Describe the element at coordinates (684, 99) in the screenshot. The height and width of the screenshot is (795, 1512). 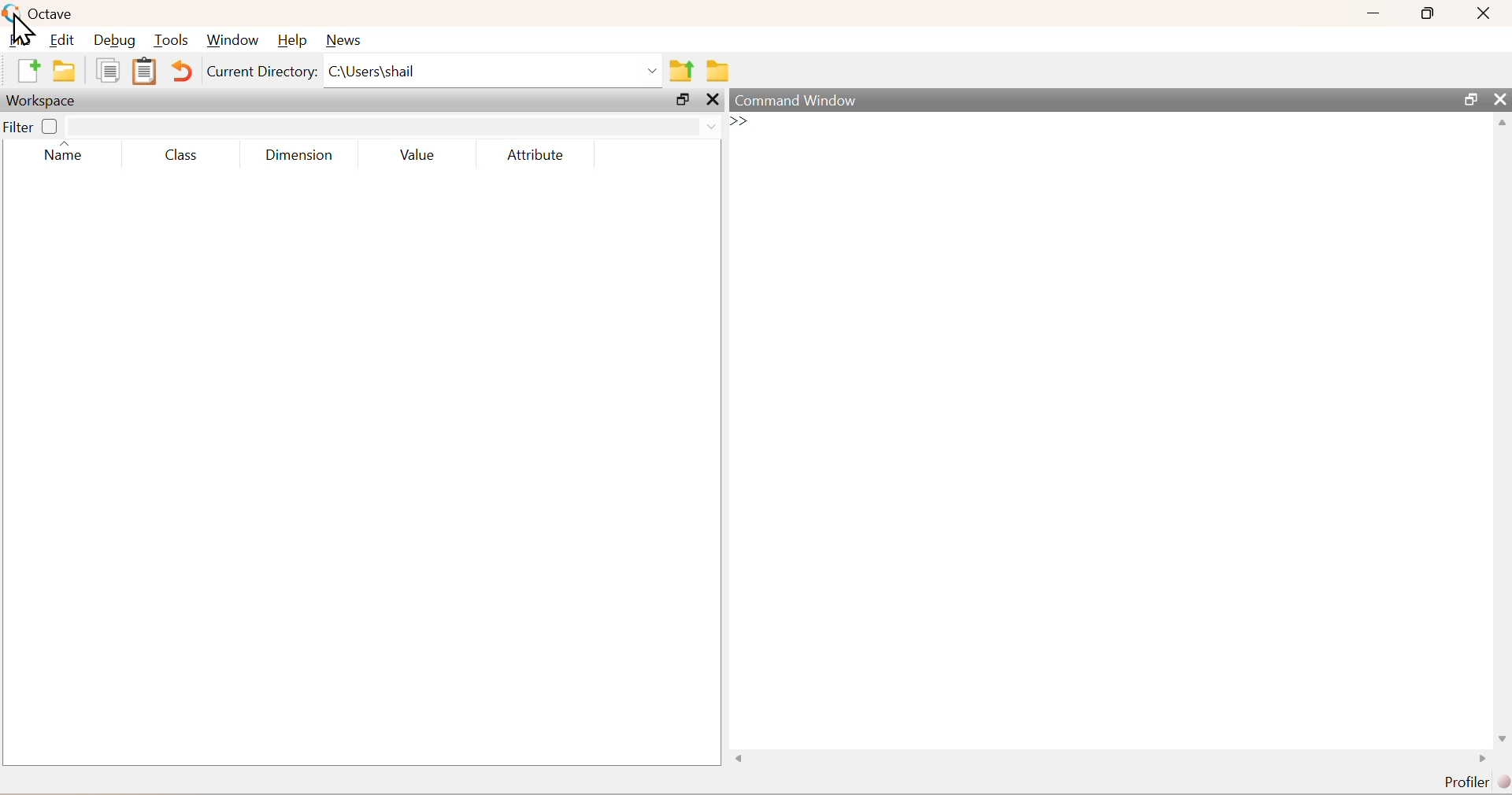
I see `resize` at that location.